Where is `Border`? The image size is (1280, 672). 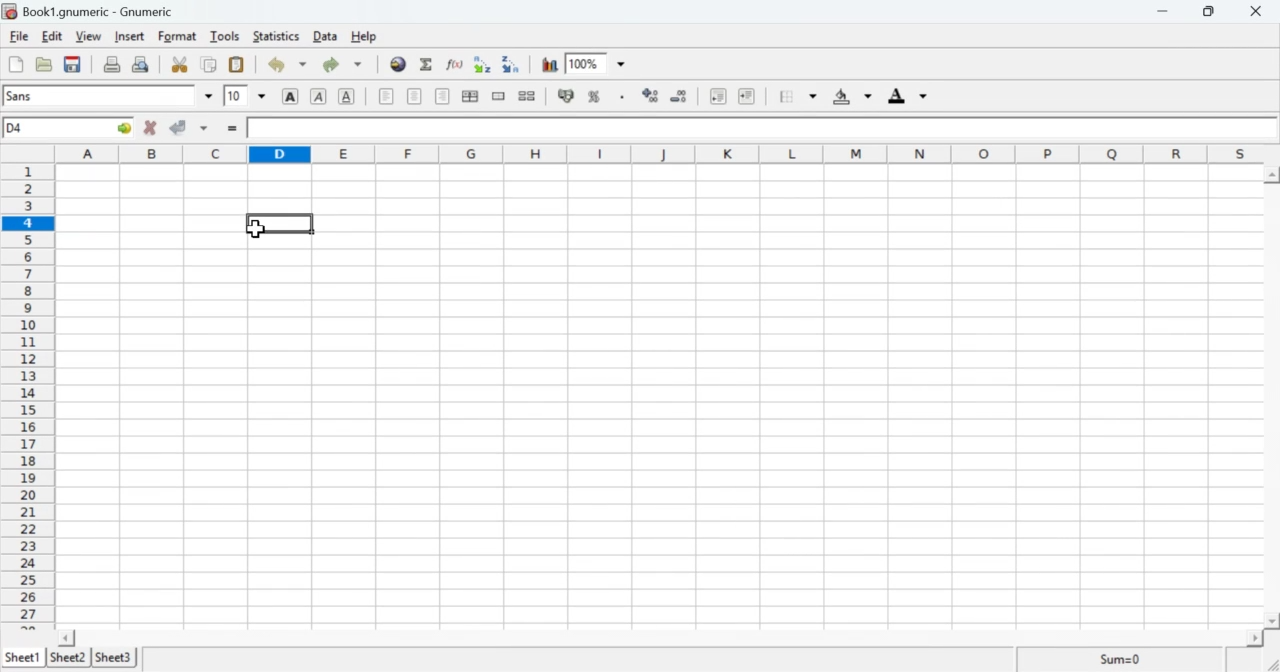 Border is located at coordinates (799, 97).